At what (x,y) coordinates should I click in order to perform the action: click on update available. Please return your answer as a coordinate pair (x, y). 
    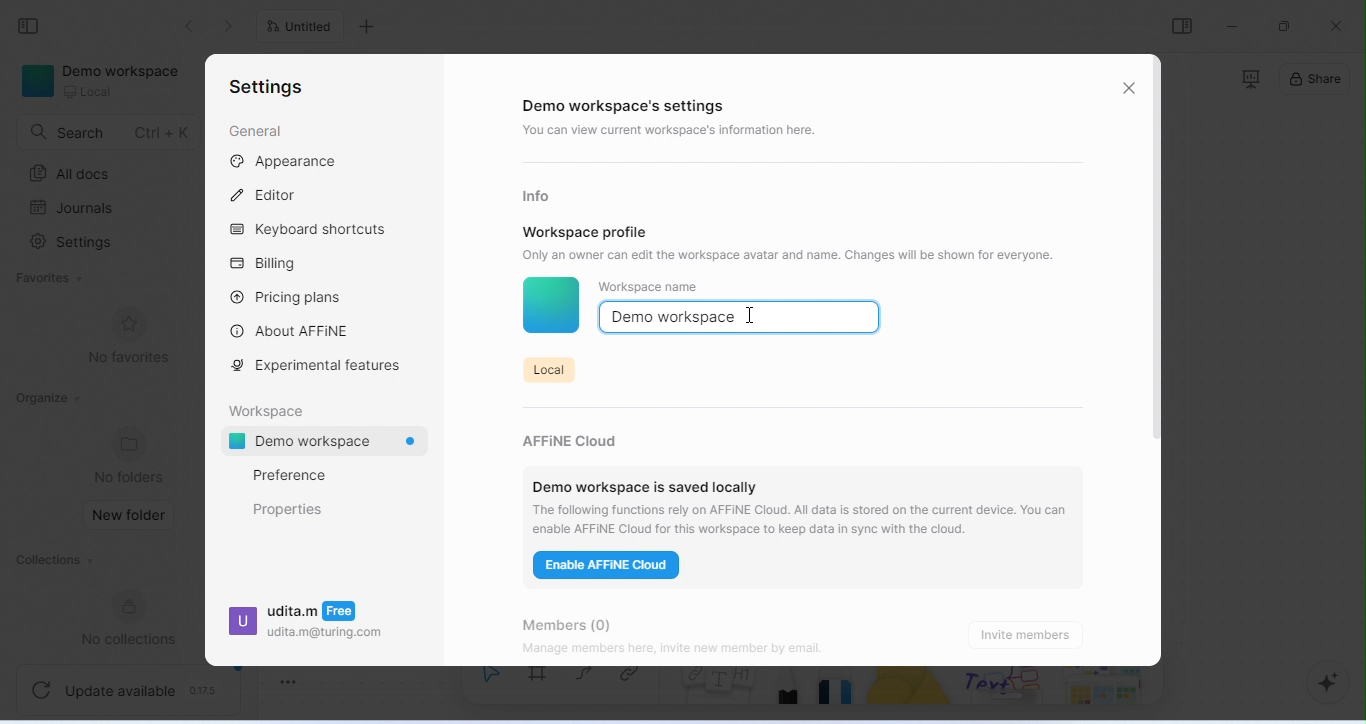
    Looking at the image, I should click on (130, 687).